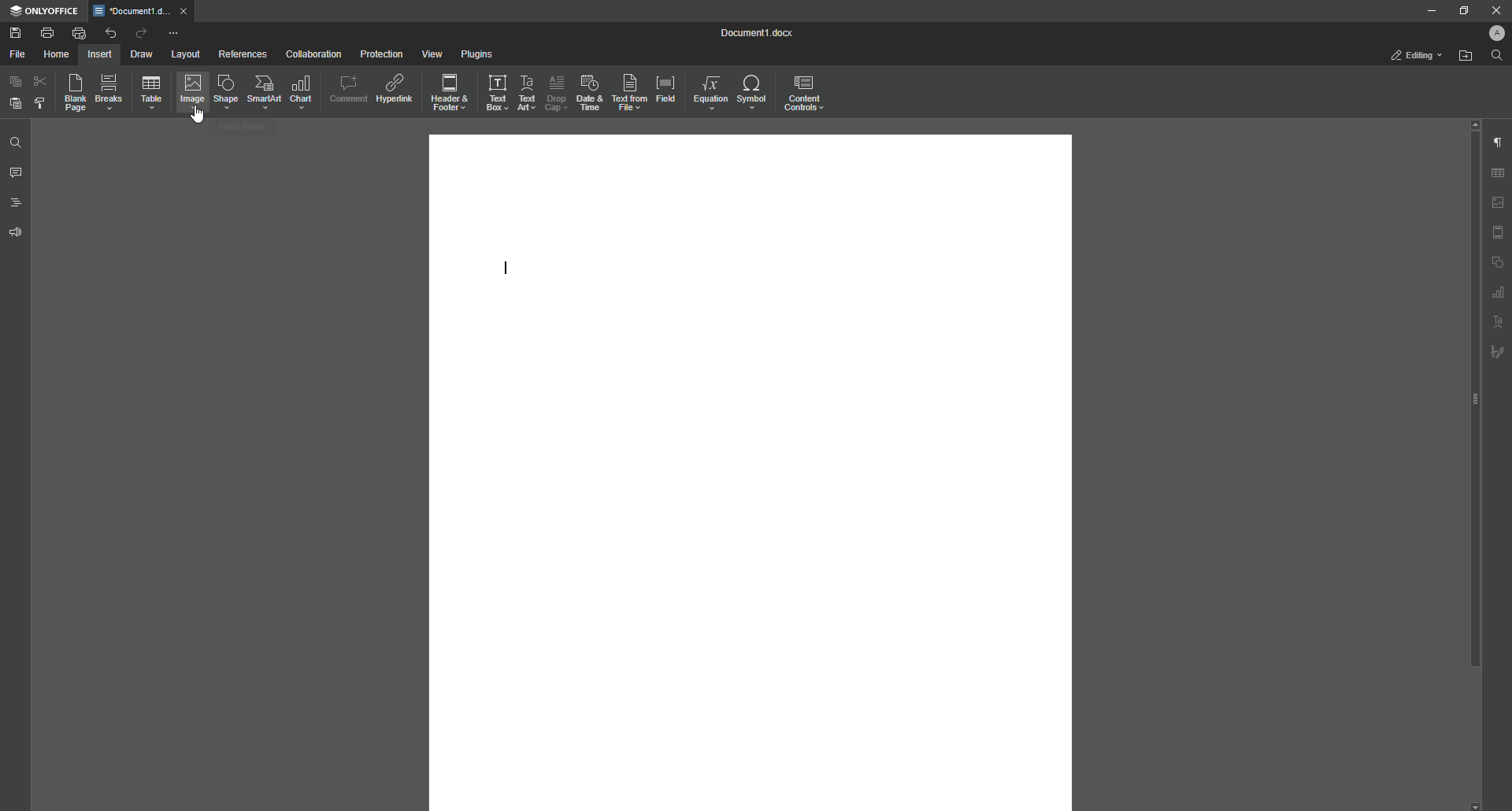 This screenshot has height=811, width=1512. I want to click on Field, so click(669, 91).